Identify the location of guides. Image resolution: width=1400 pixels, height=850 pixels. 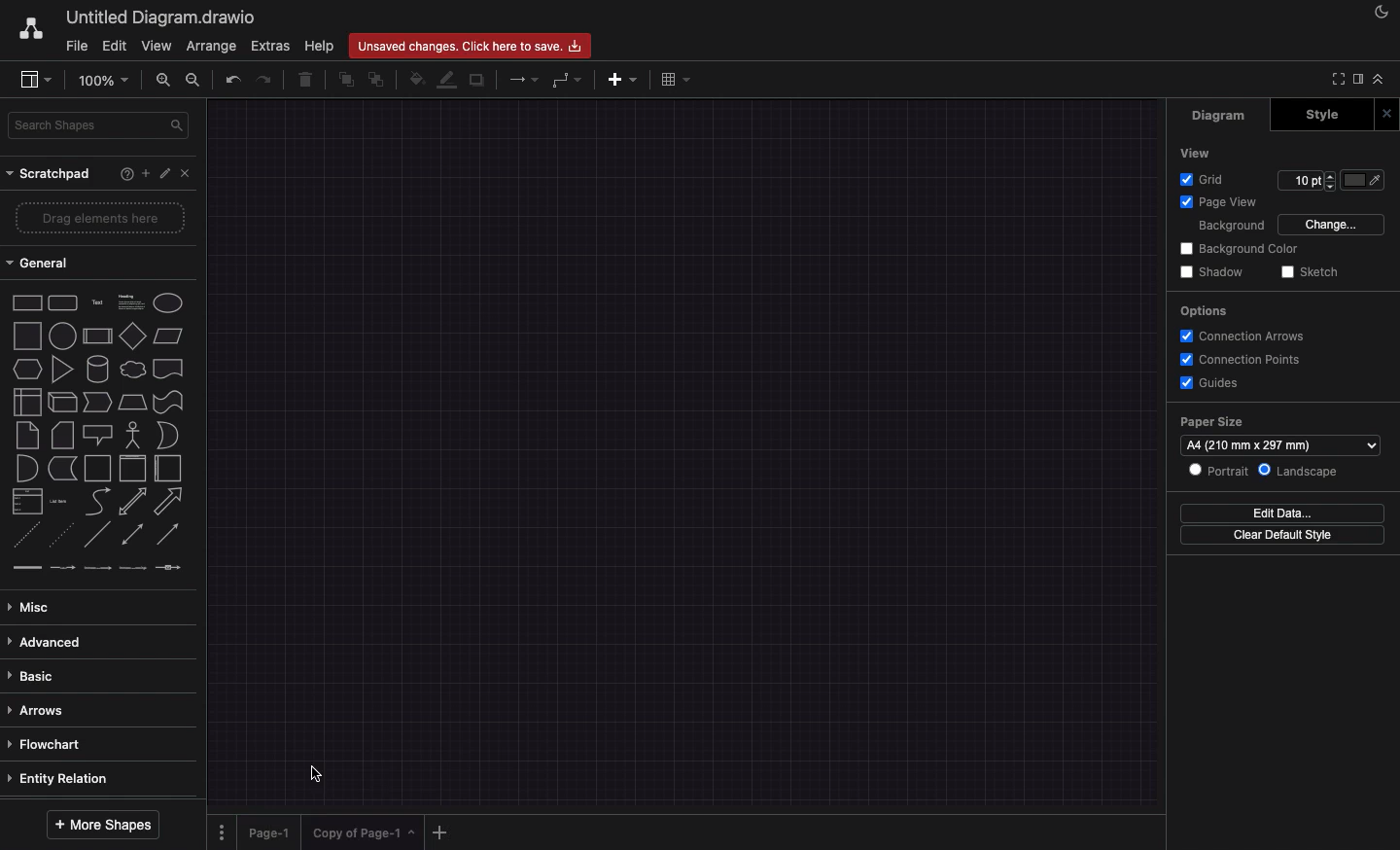
(1211, 383).